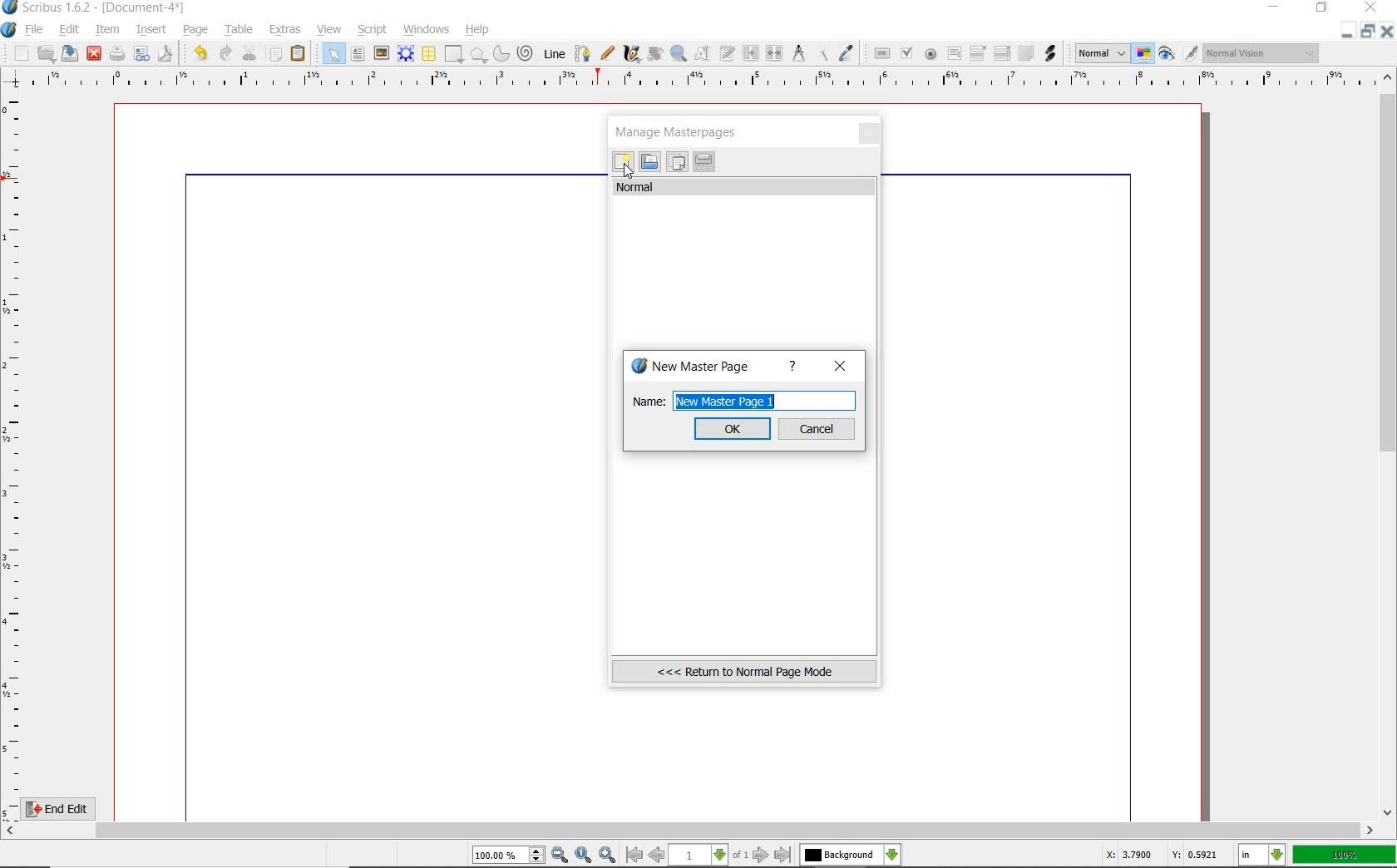 The height and width of the screenshot is (868, 1397). What do you see at coordinates (286, 30) in the screenshot?
I see `extras` at bounding box center [286, 30].